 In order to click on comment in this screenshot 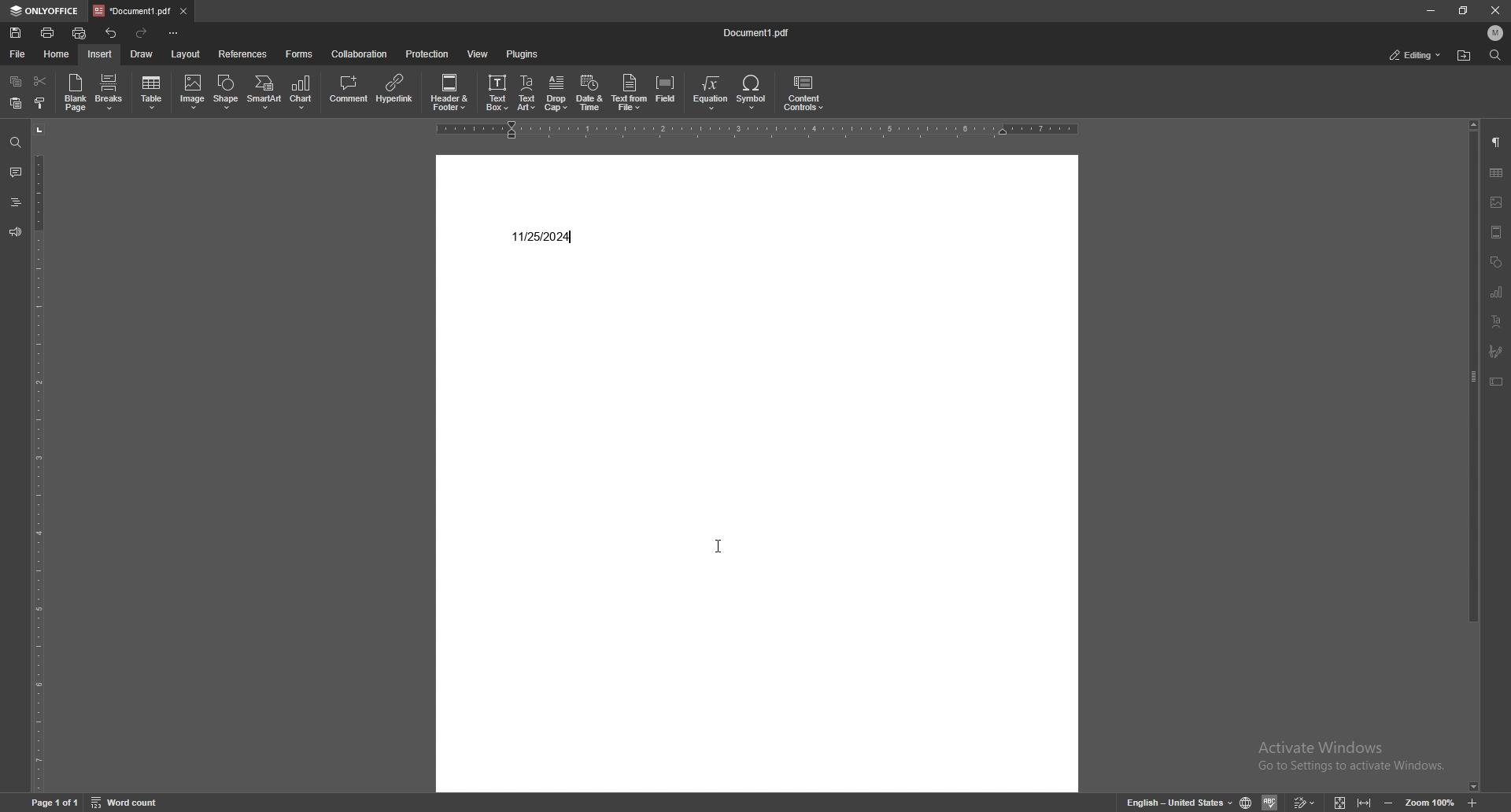, I will do `click(15, 172)`.